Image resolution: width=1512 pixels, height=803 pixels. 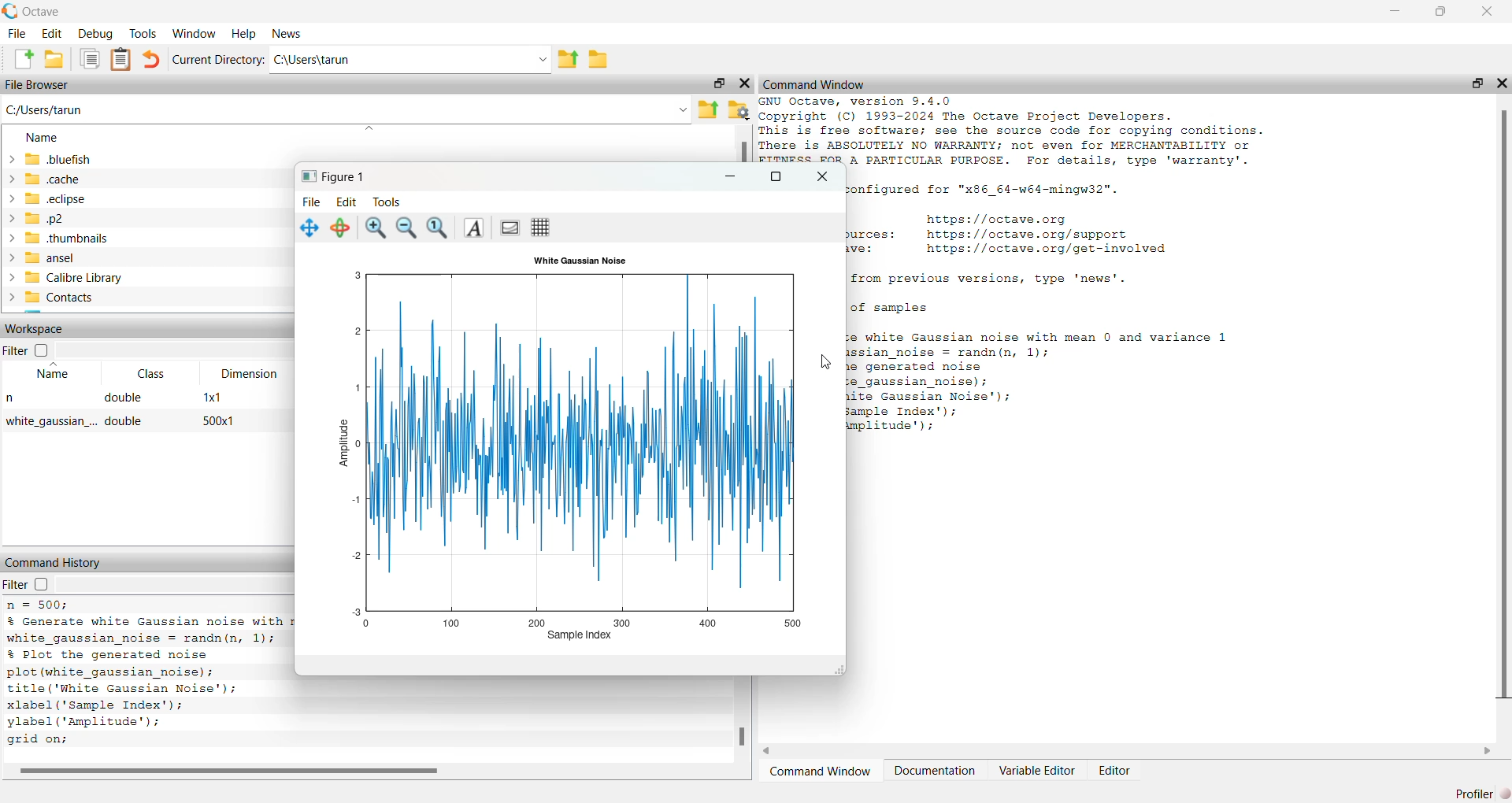 I want to click on  Octave, so click(x=50, y=12).